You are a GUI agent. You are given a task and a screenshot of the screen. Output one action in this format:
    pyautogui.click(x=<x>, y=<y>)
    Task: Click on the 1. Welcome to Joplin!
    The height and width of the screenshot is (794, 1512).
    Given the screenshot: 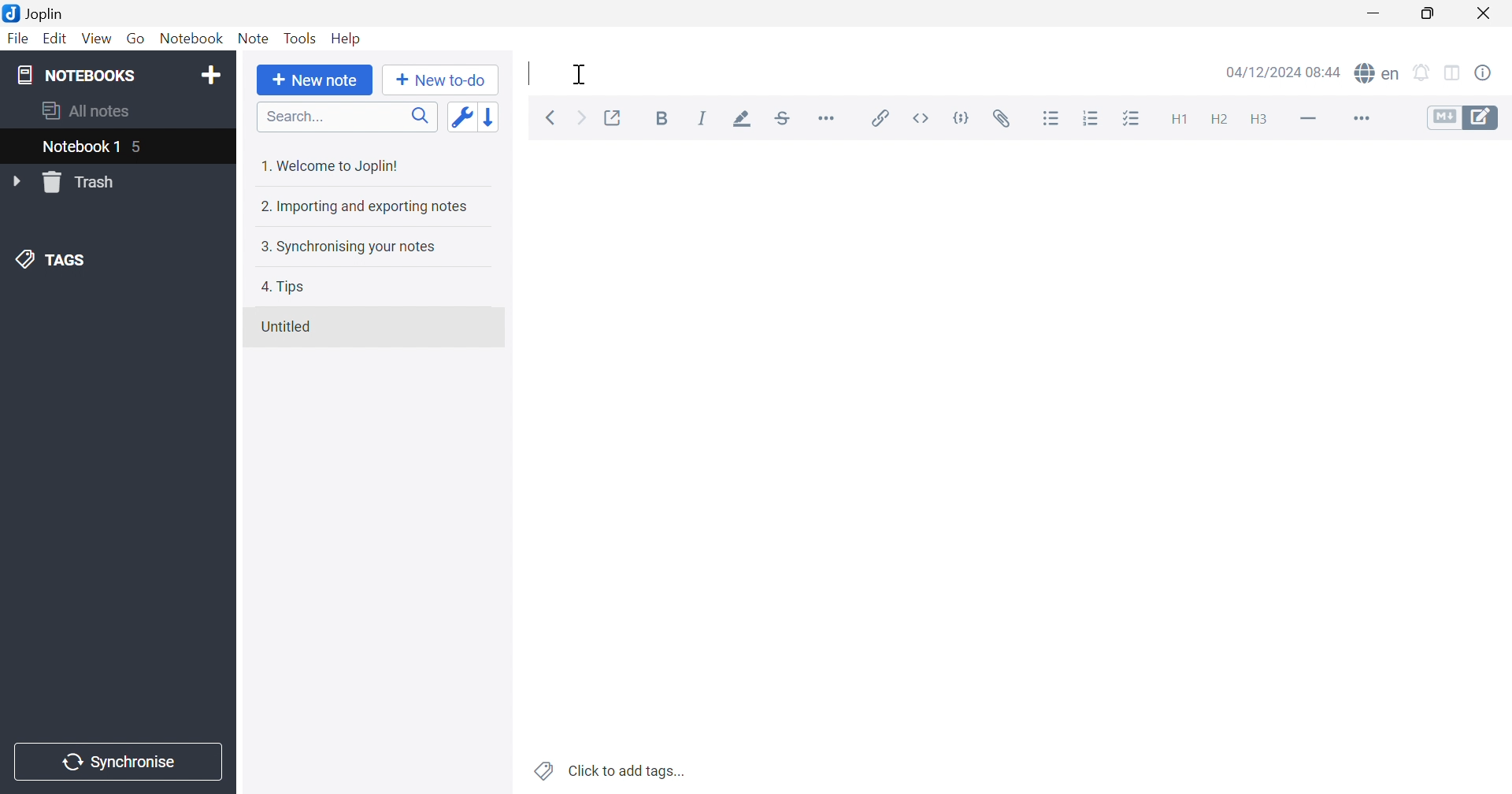 What is the action you would take?
    pyautogui.click(x=338, y=163)
    